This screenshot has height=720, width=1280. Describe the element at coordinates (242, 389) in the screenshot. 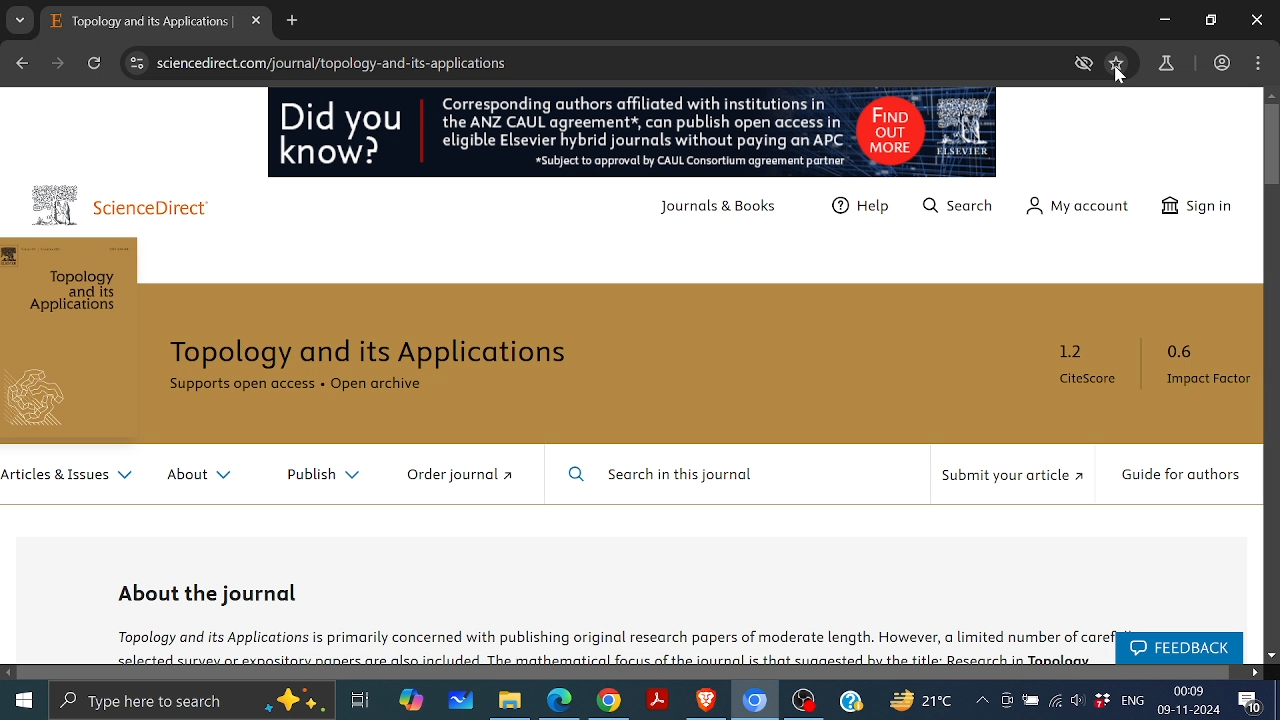

I see `support open access` at that location.